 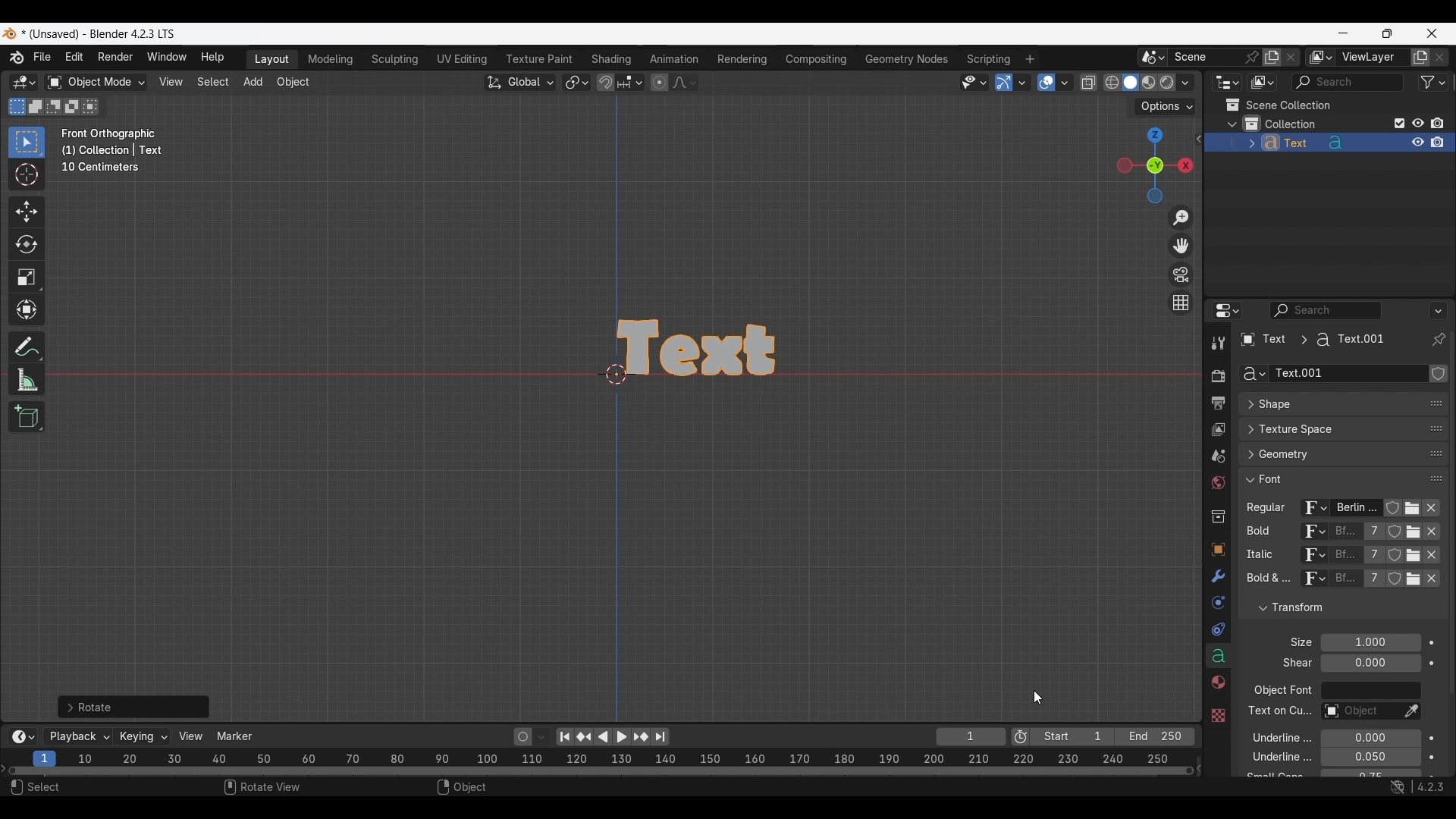 What do you see at coordinates (112, 150) in the screenshot?
I see `Frame description changed` at bounding box center [112, 150].